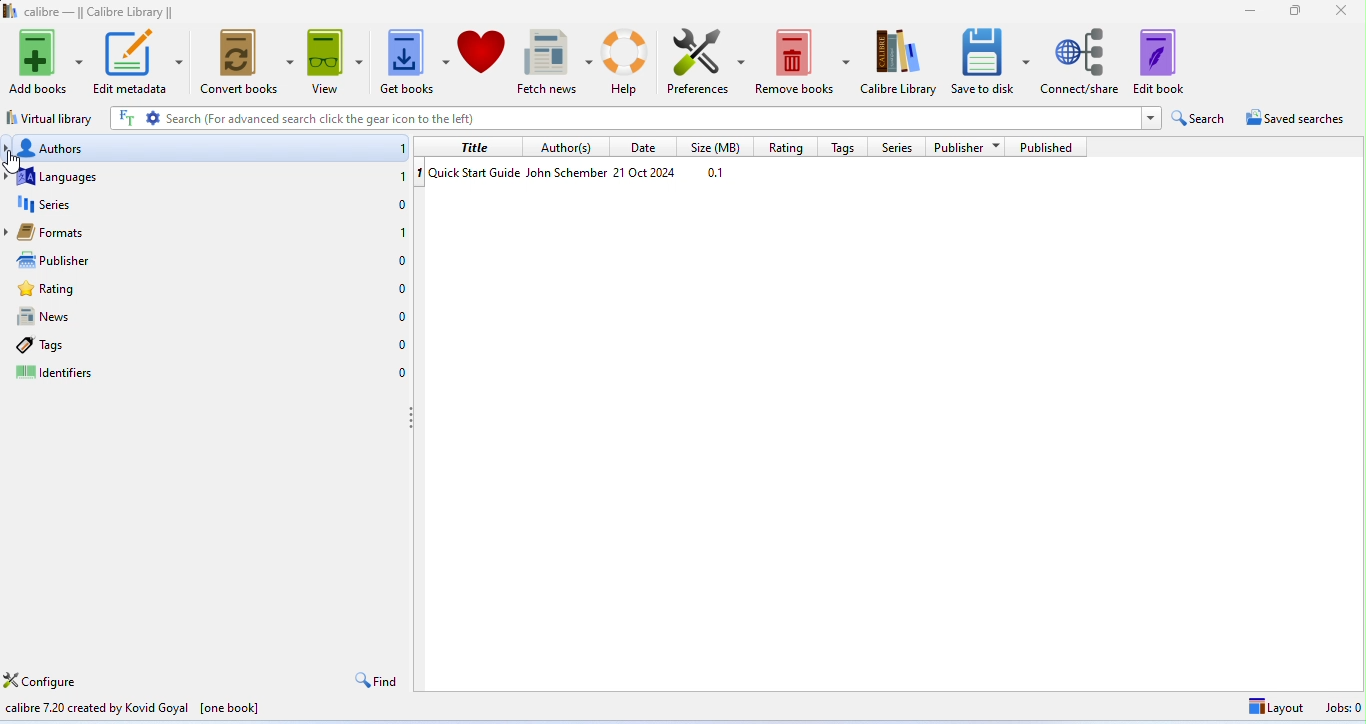  Describe the element at coordinates (899, 61) in the screenshot. I see `calibre library` at that location.